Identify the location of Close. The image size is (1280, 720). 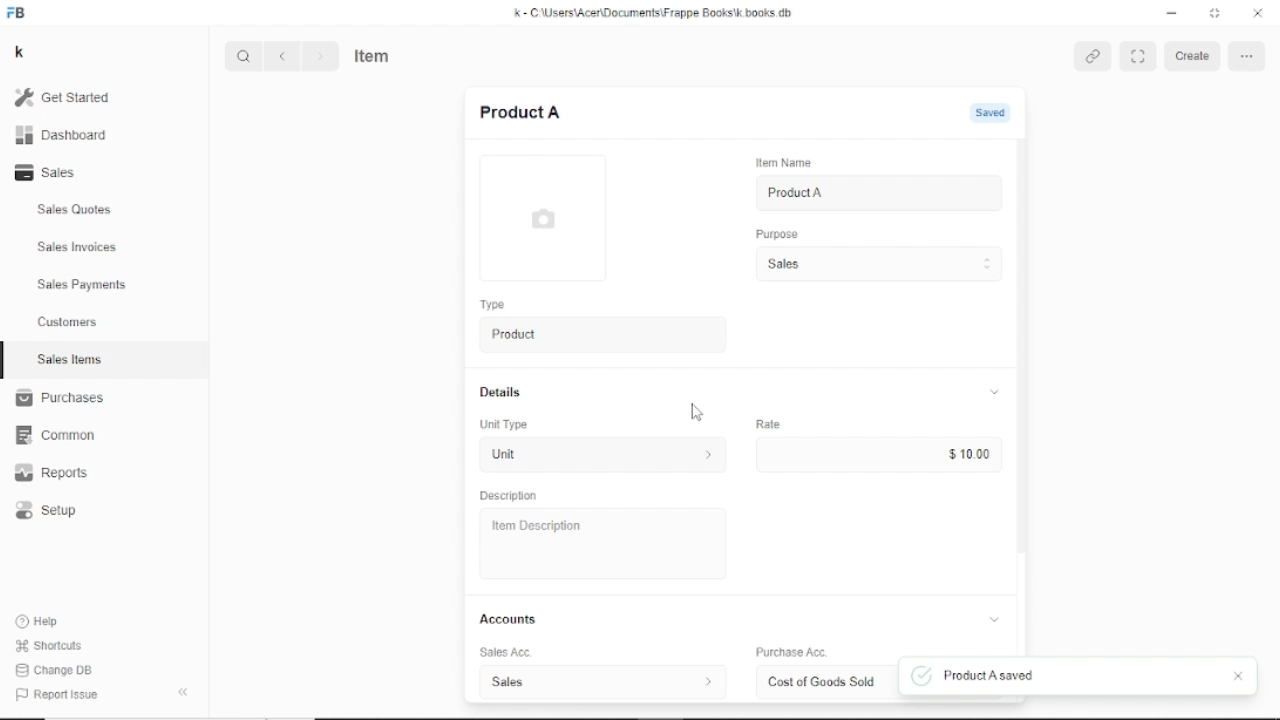
(1258, 13).